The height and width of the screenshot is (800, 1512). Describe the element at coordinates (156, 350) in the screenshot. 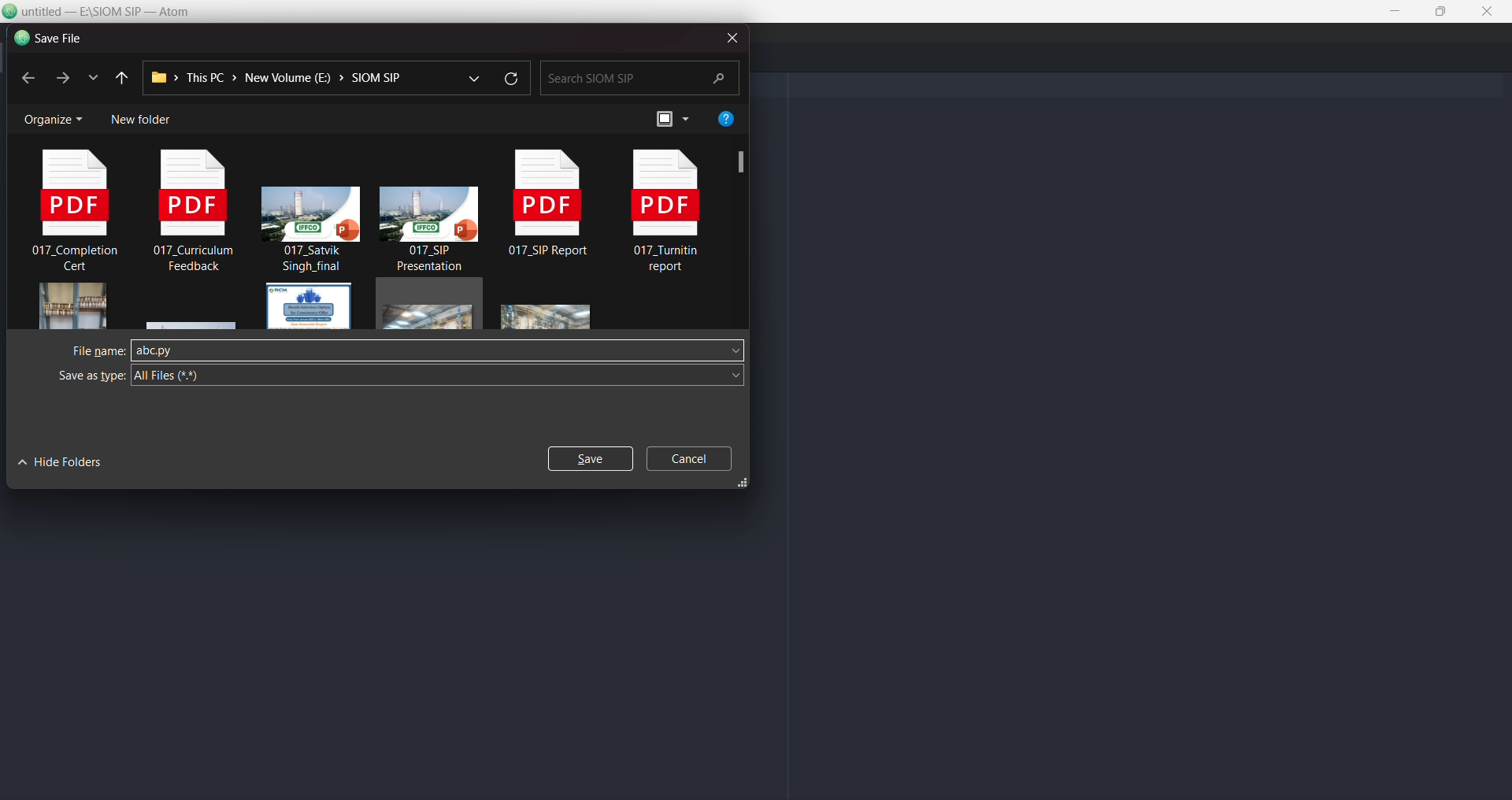

I see `abc.py` at that location.